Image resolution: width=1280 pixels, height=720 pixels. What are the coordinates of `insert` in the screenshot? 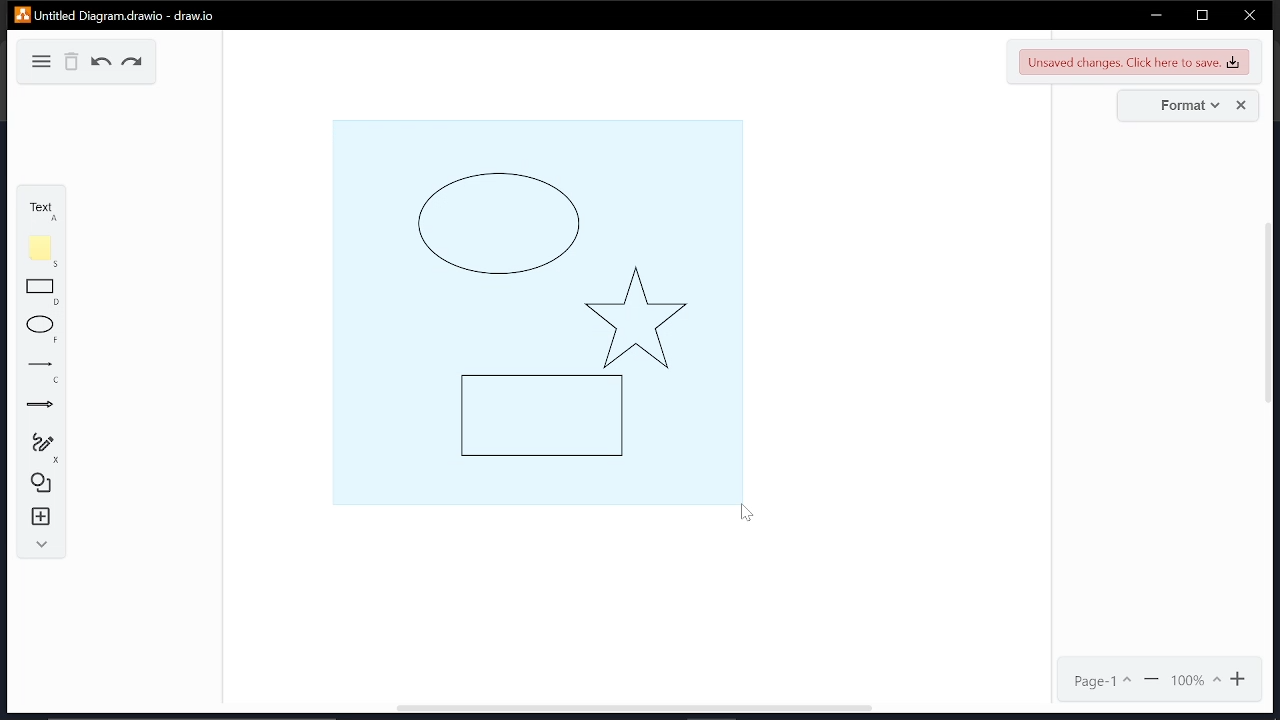 It's located at (42, 517).